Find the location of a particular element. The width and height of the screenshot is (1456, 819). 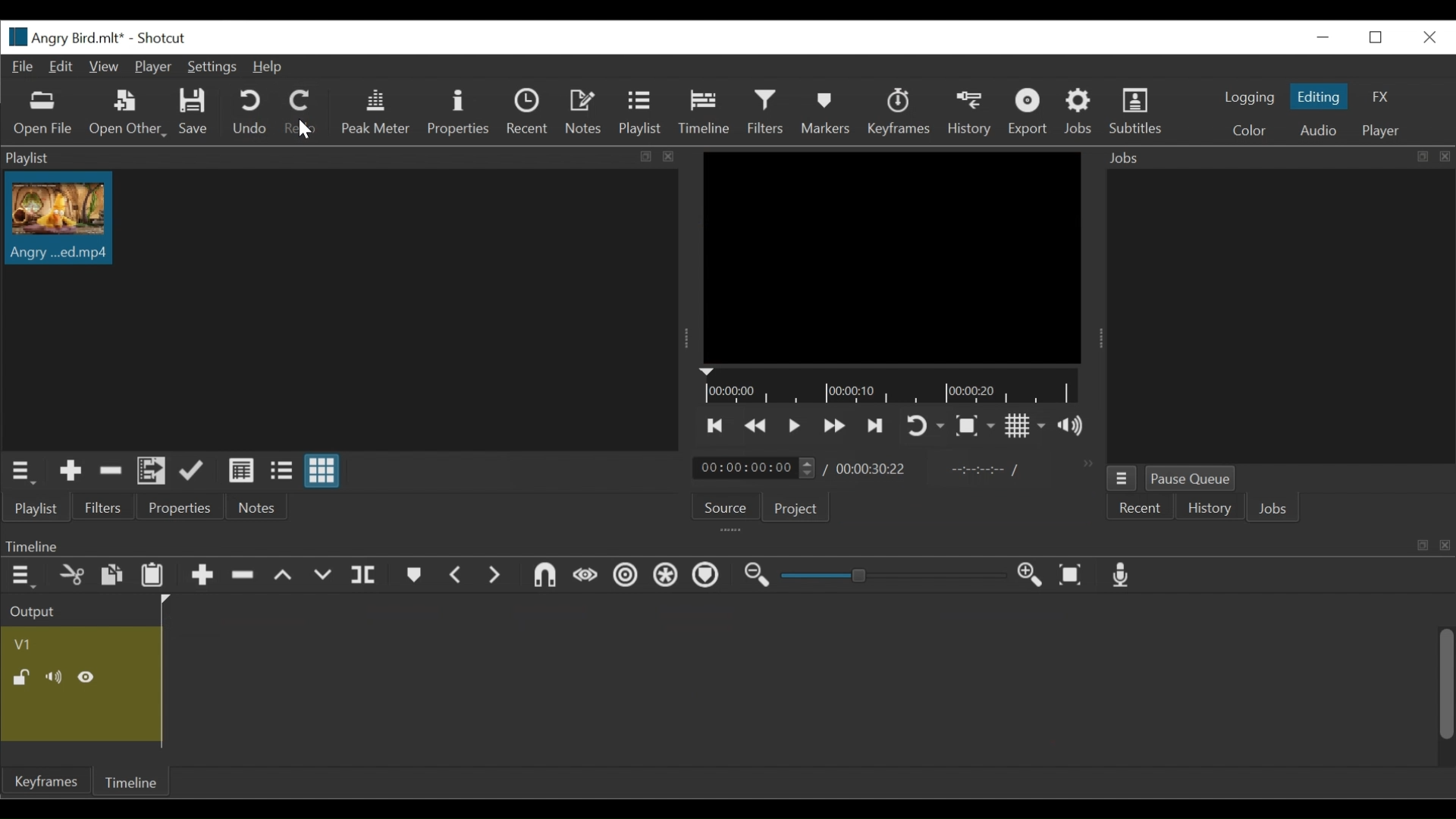

Filters is located at coordinates (101, 507).